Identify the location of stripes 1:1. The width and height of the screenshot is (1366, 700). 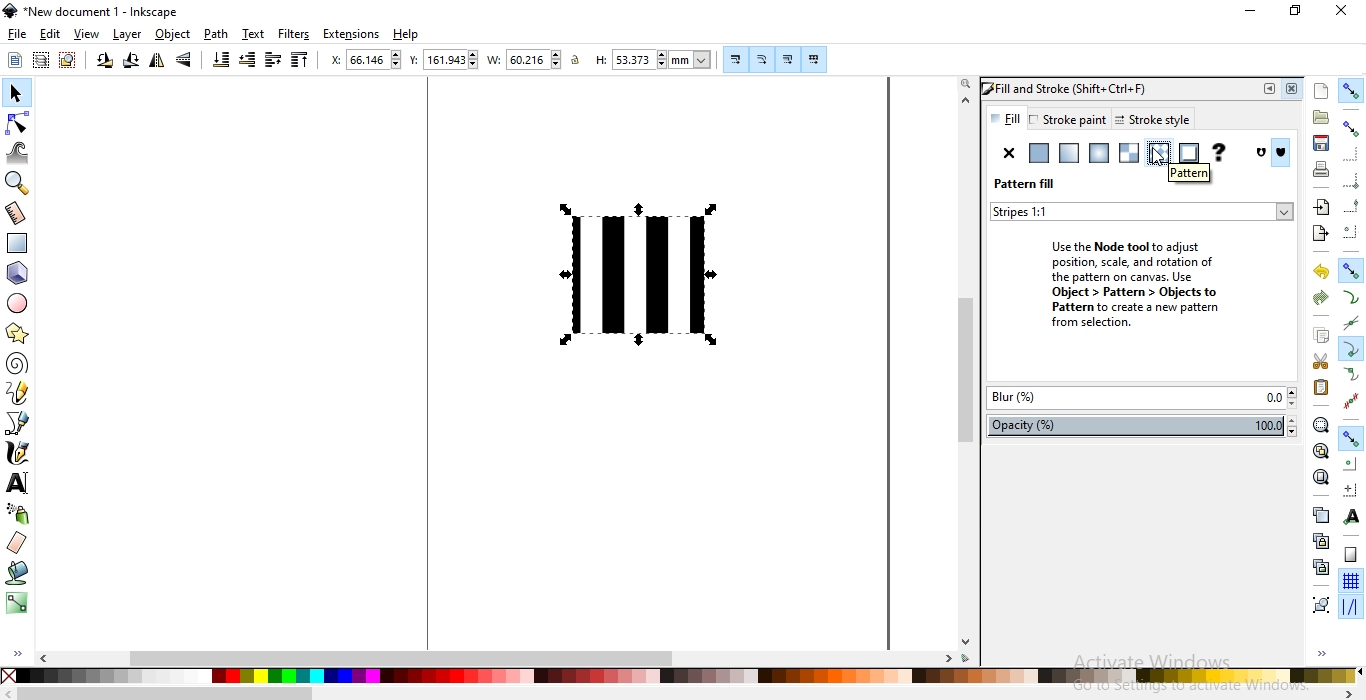
(1028, 211).